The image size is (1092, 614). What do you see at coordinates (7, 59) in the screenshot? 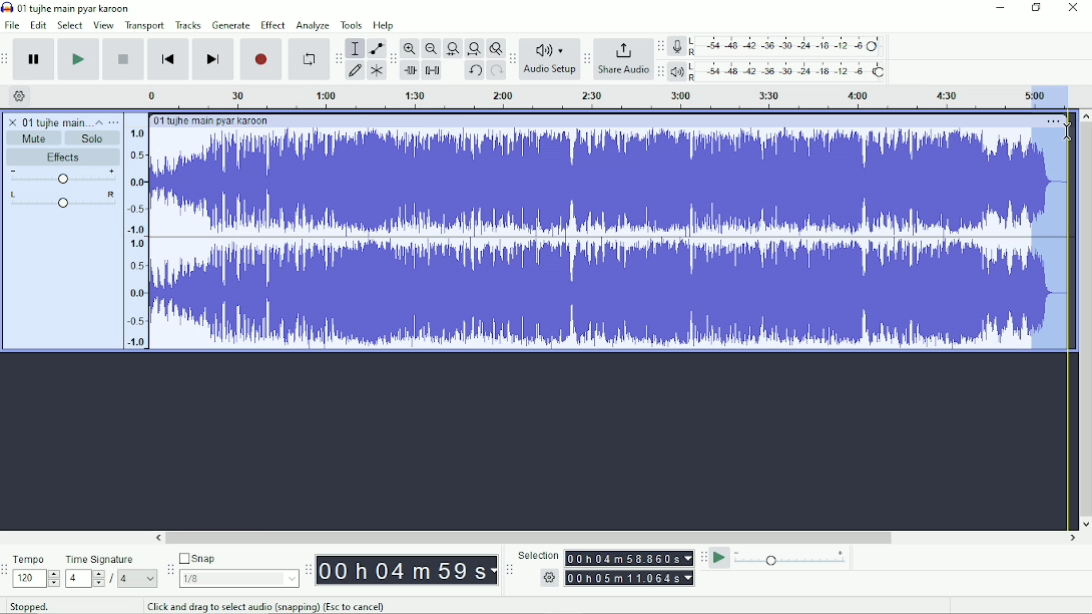
I see `Audacity transport toolbar` at bounding box center [7, 59].